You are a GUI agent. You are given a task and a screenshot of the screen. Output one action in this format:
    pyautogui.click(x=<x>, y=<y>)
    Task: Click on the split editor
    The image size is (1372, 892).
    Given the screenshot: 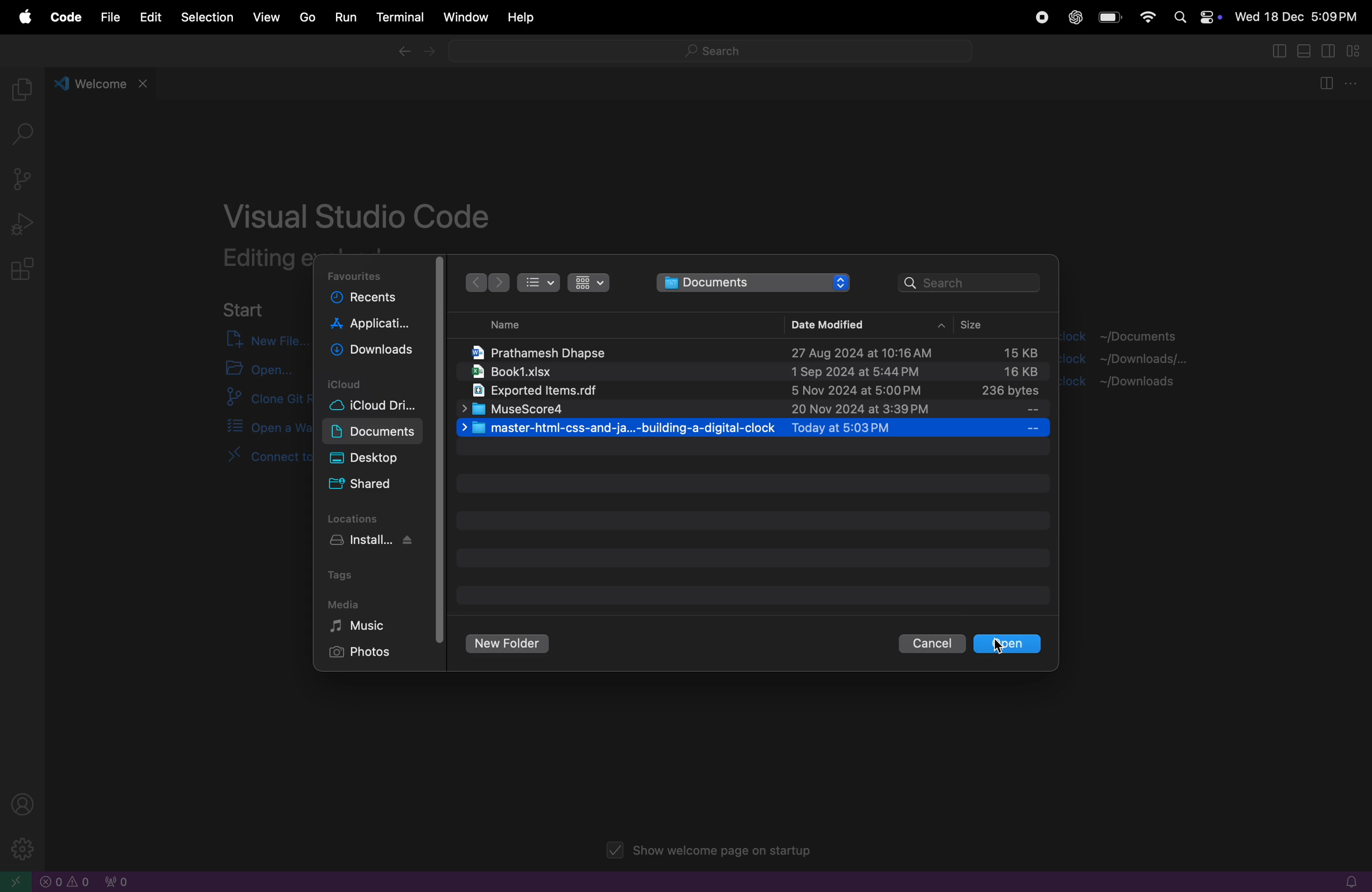 What is the action you would take?
    pyautogui.click(x=1276, y=50)
    